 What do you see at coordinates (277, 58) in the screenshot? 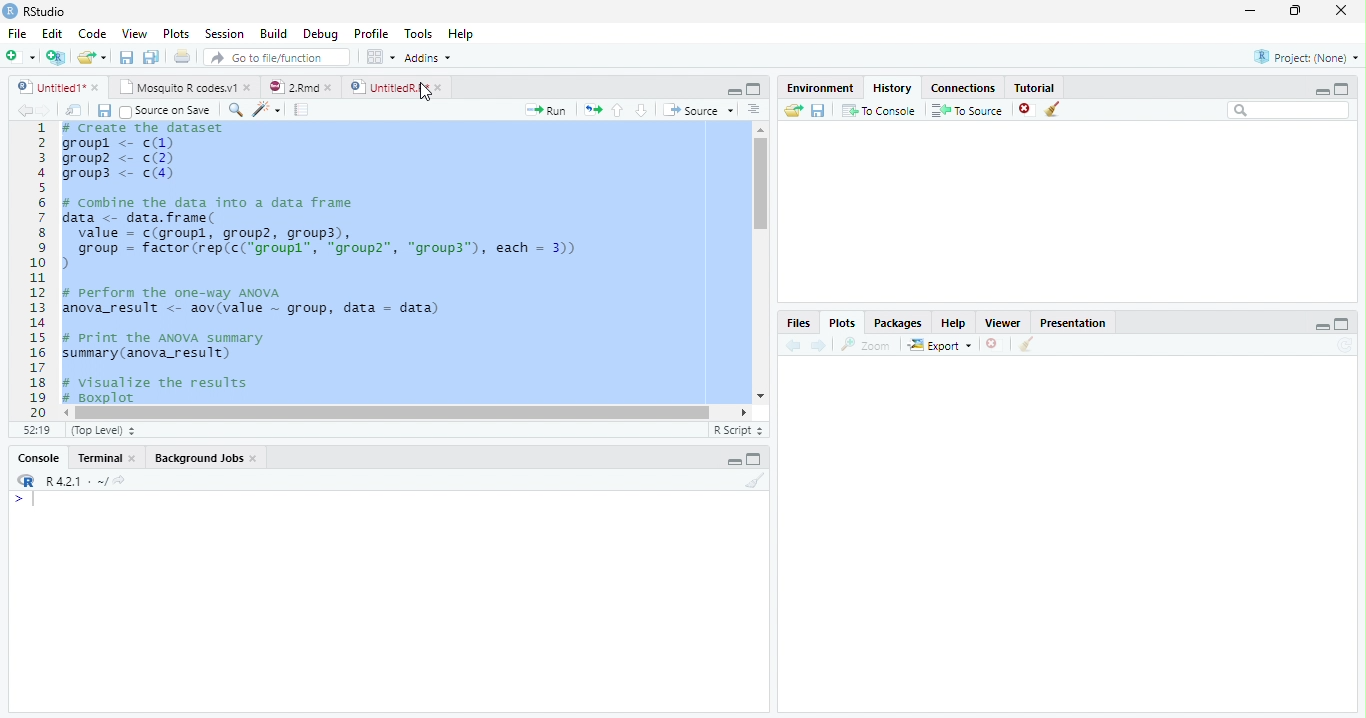
I see `Go to file/function` at bounding box center [277, 58].